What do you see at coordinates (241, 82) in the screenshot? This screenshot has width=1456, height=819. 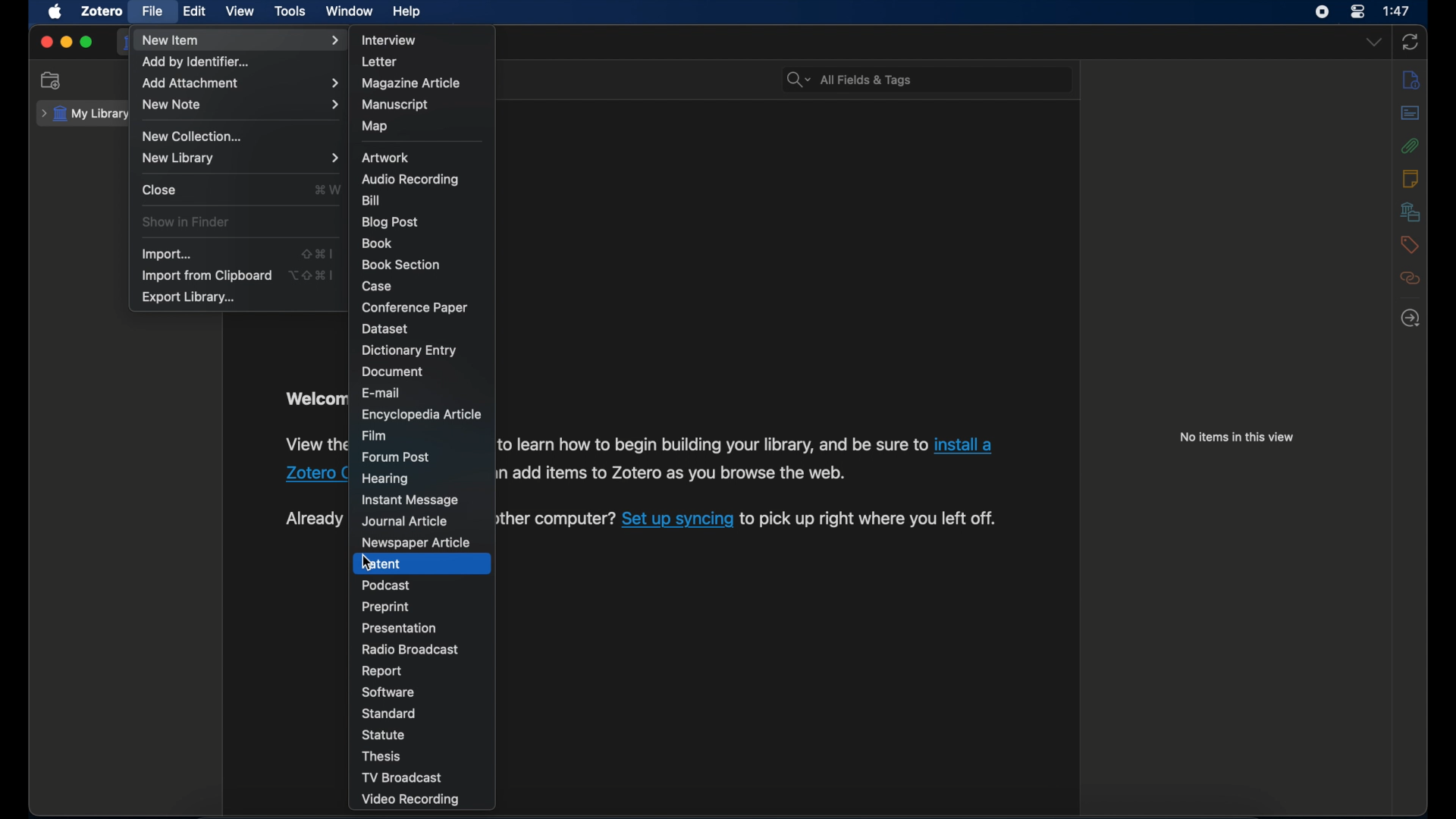 I see `add attachment` at bounding box center [241, 82].